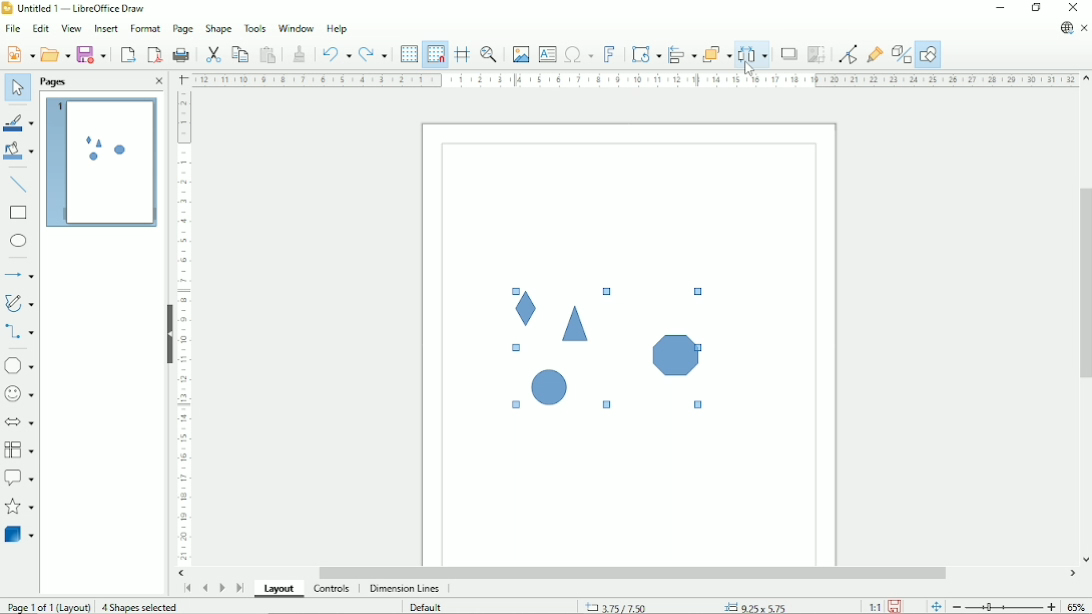  Describe the element at coordinates (105, 29) in the screenshot. I see `Insert` at that location.